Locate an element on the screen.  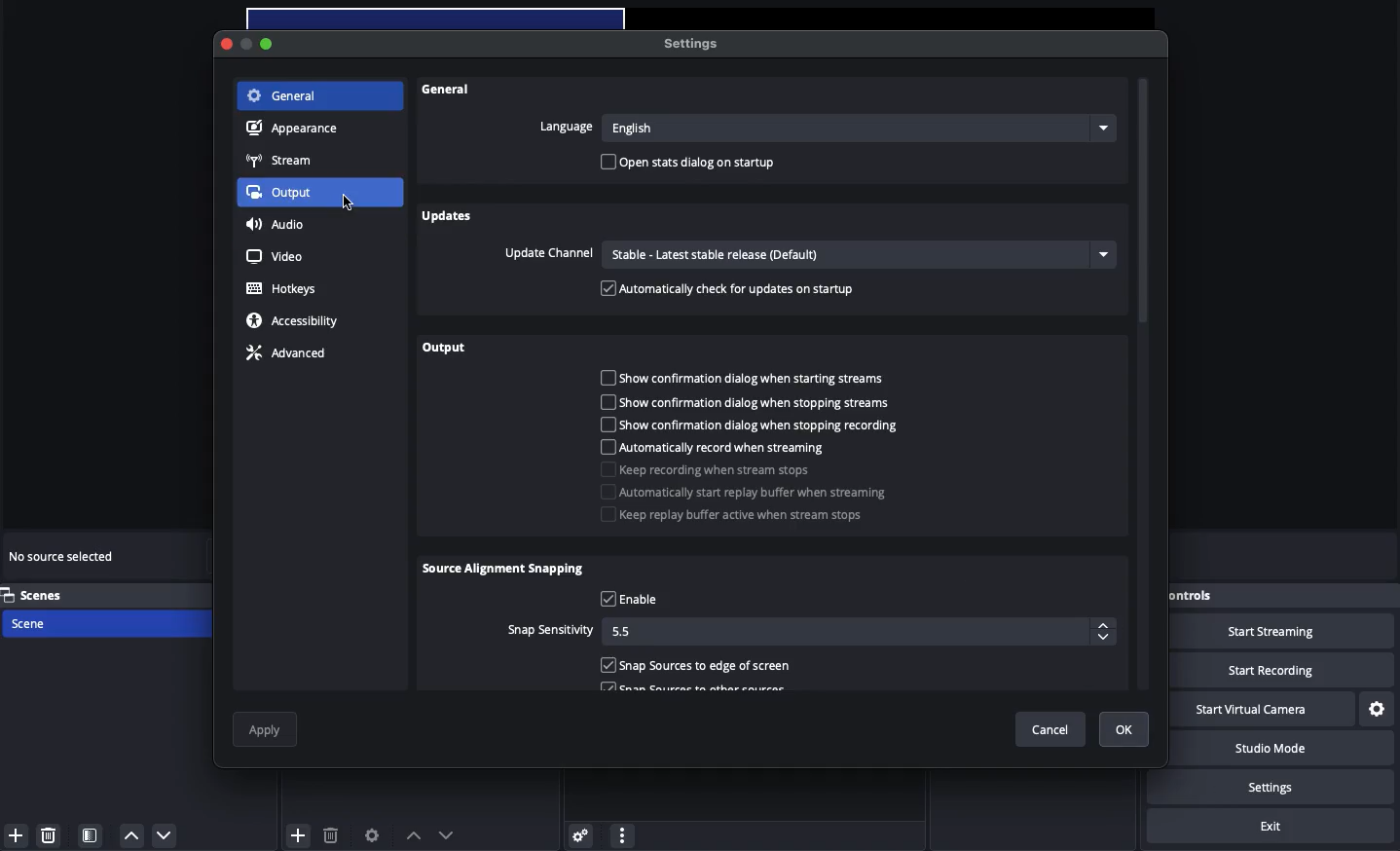
Stream is located at coordinates (280, 162).